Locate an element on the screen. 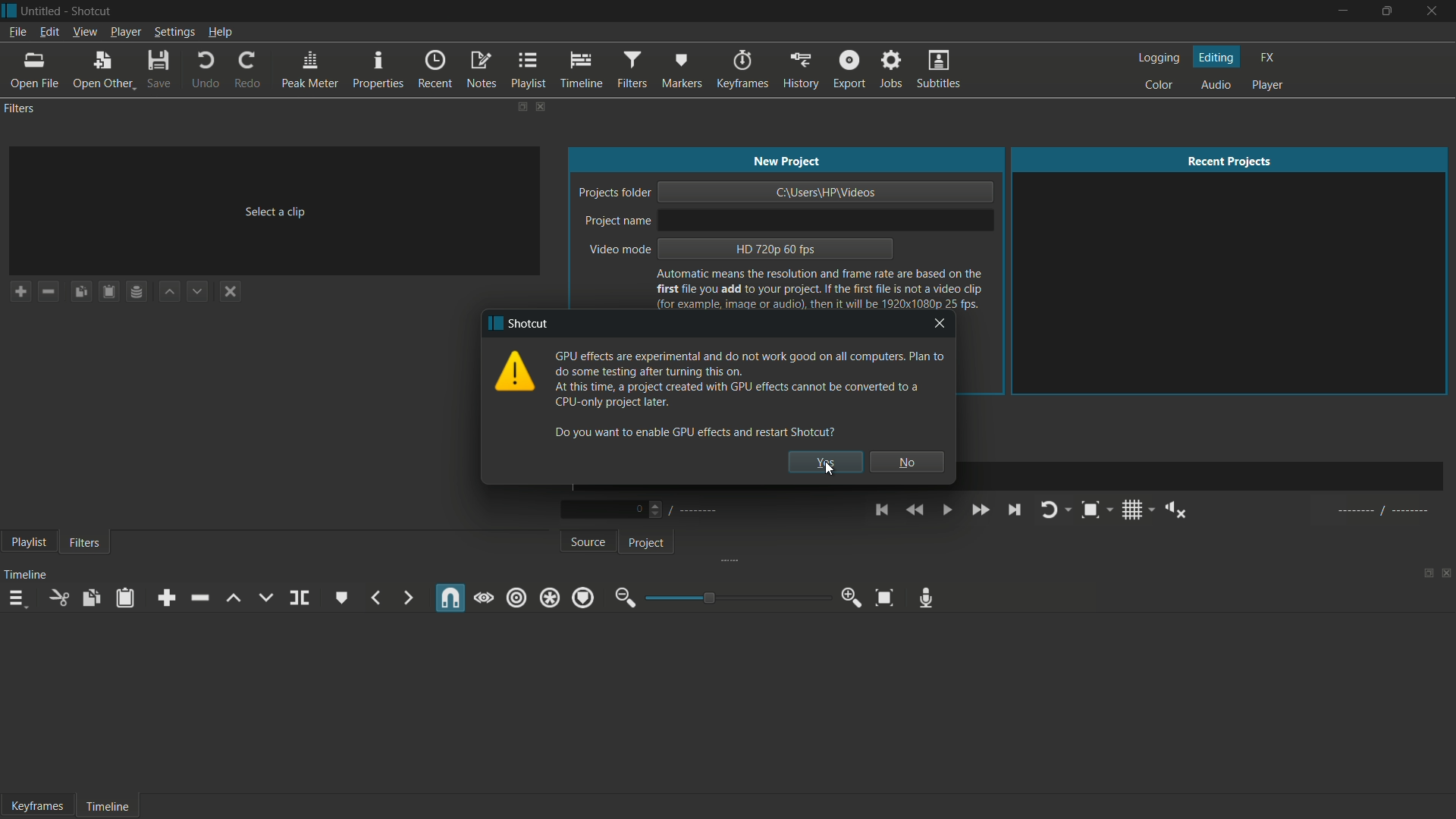  peak meter is located at coordinates (312, 71).